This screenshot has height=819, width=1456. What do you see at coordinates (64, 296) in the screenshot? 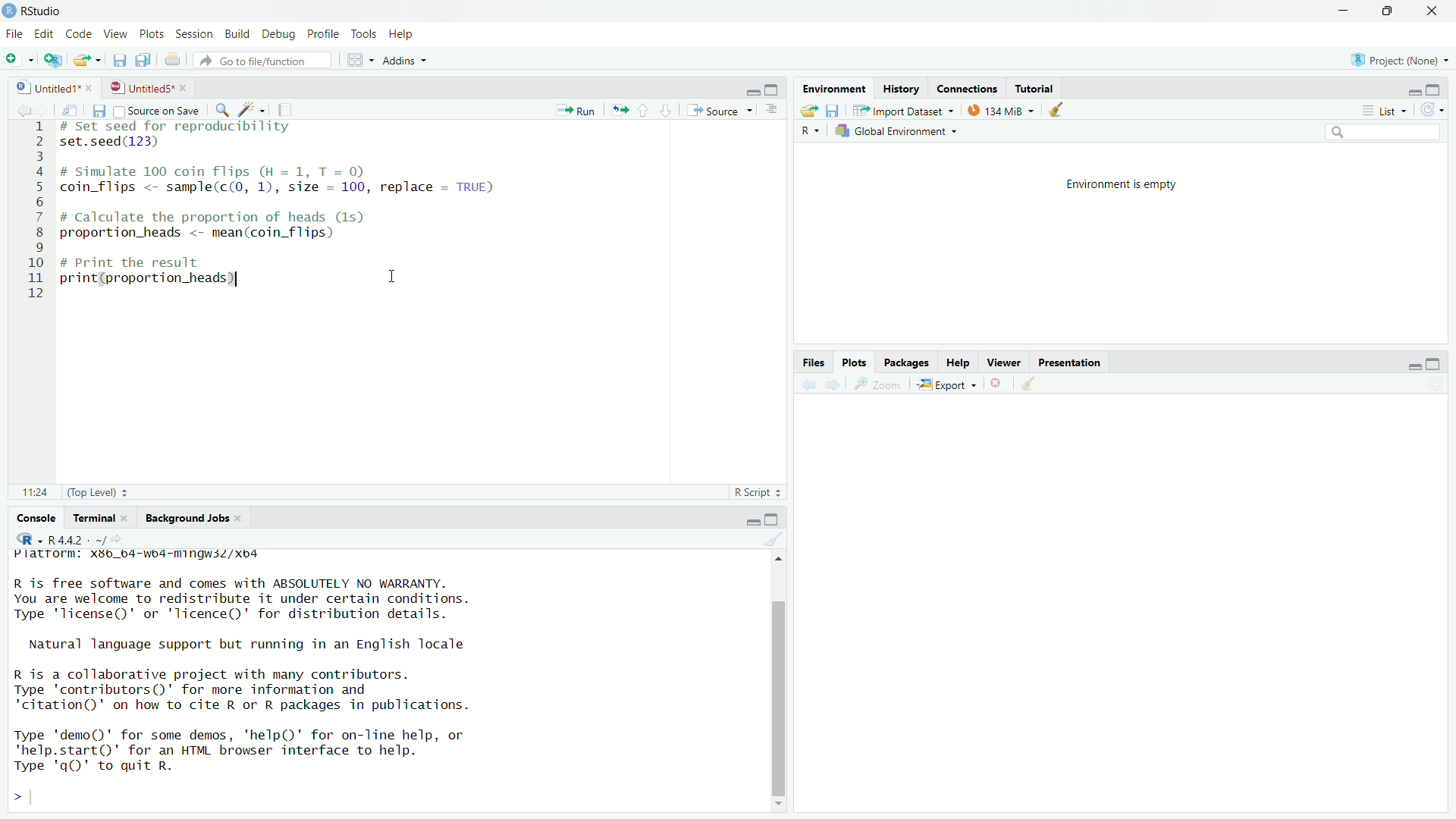
I see `typing cursor` at bounding box center [64, 296].